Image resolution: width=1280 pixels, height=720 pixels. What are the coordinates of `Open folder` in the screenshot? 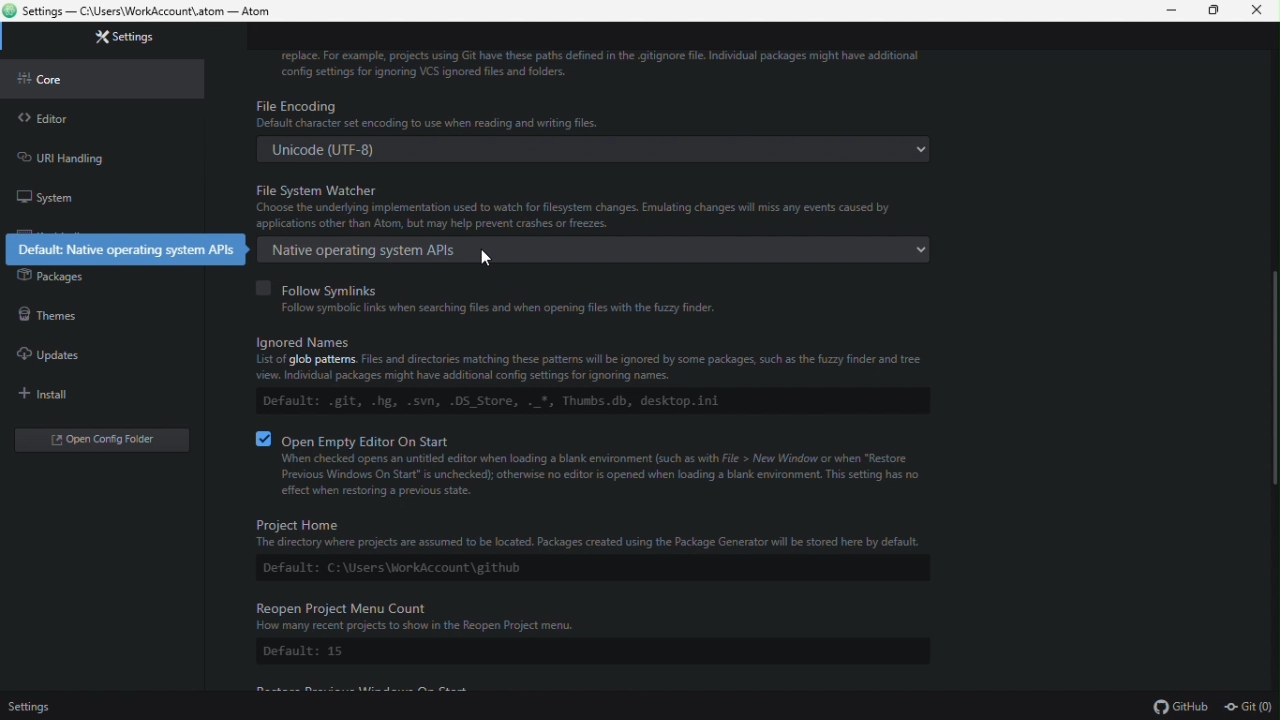 It's located at (92, 439).